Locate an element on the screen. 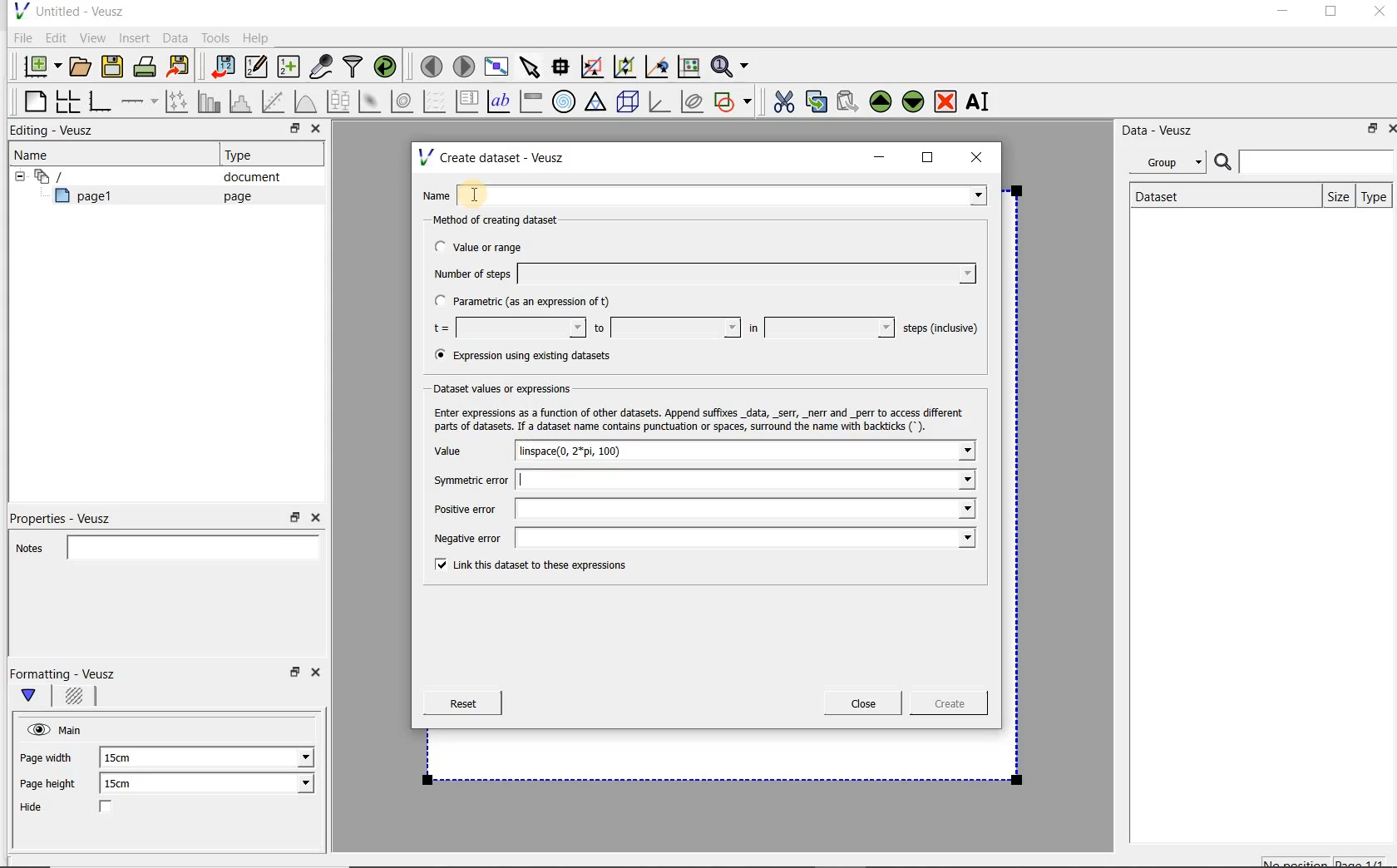  plot a 2d dataset as an image is located at coordinates (372, 102).